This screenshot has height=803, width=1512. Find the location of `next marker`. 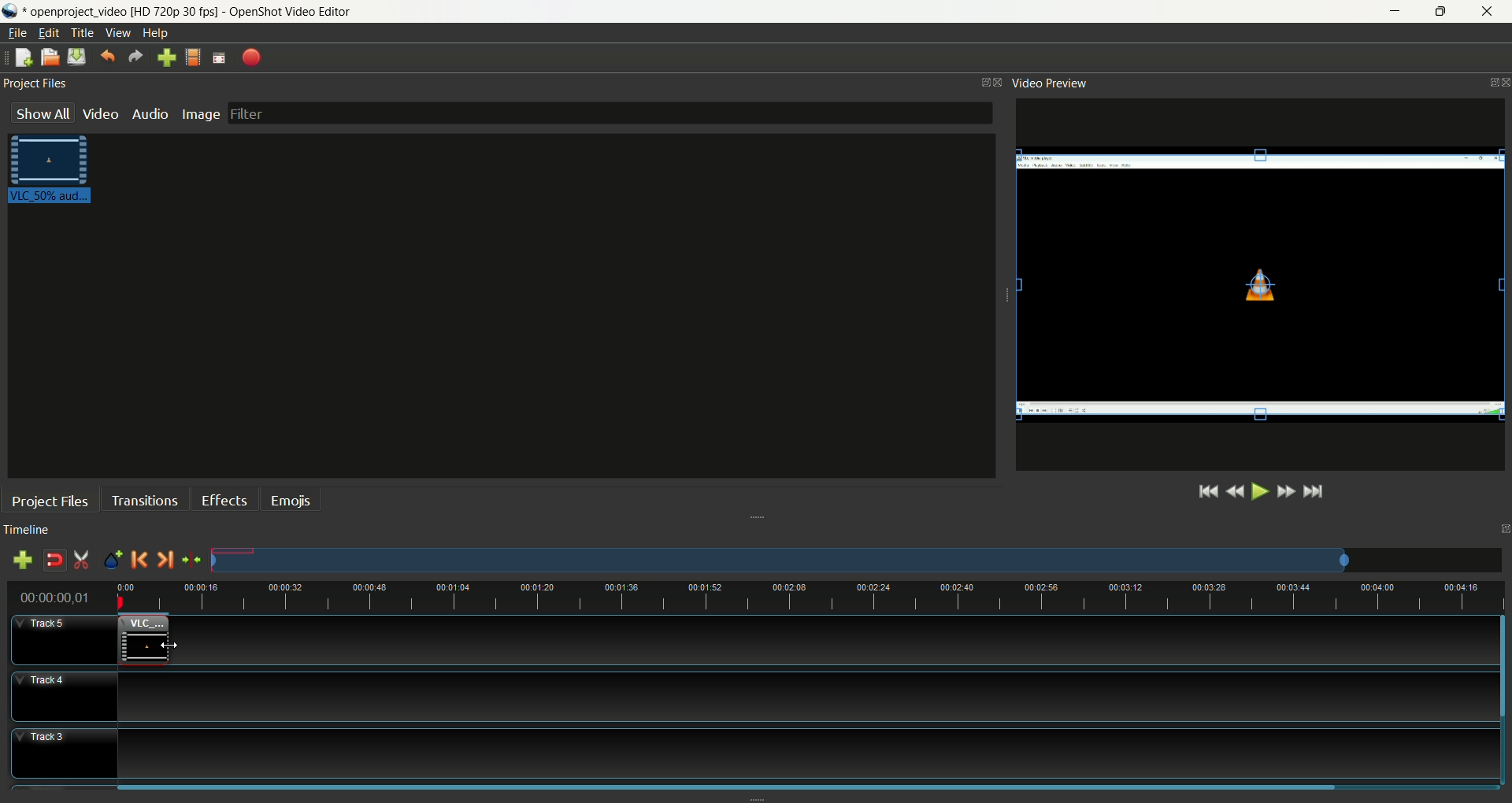

next marker is located at coordinates (165, 560).